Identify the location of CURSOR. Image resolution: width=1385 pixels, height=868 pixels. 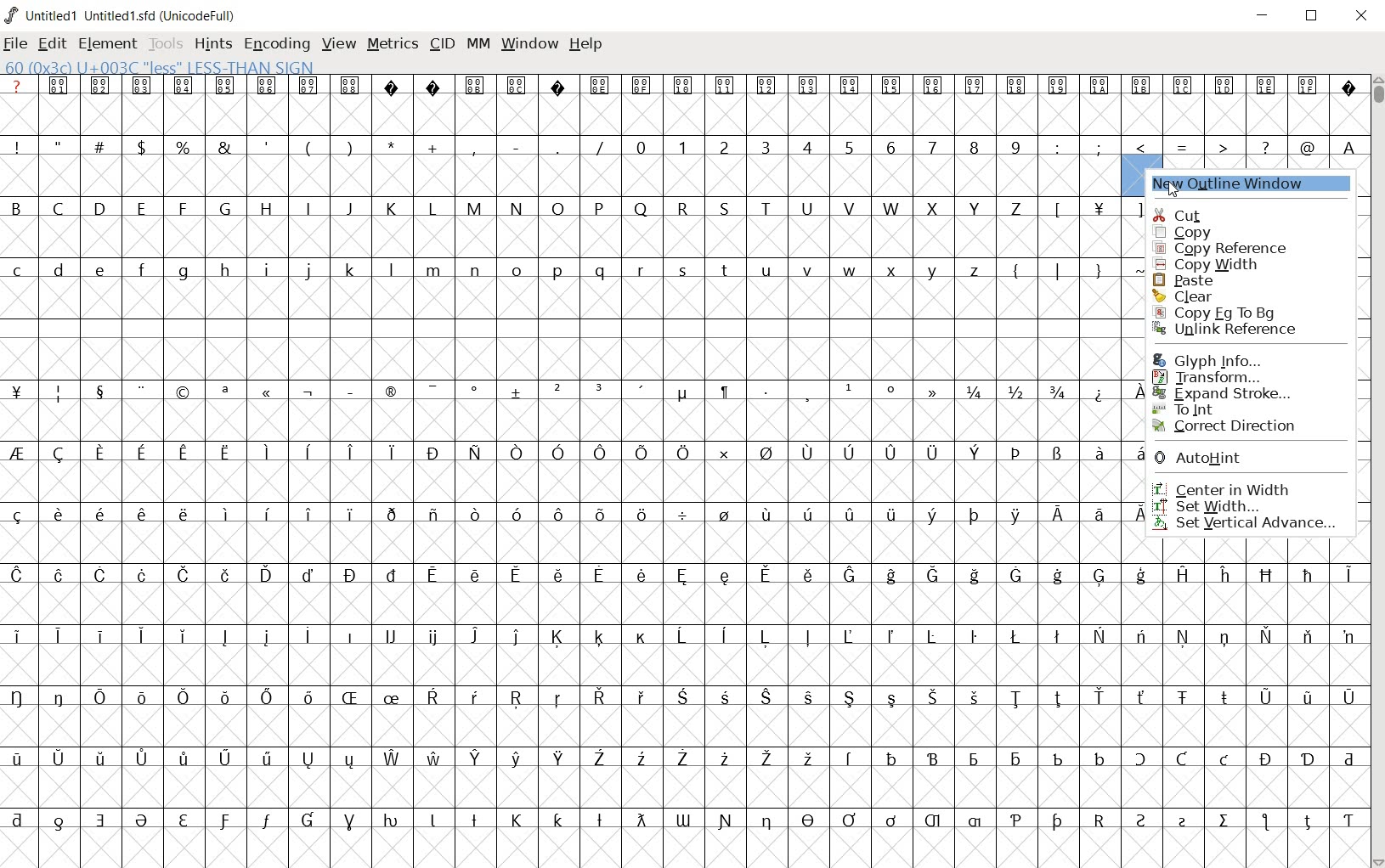
(1150, 176).